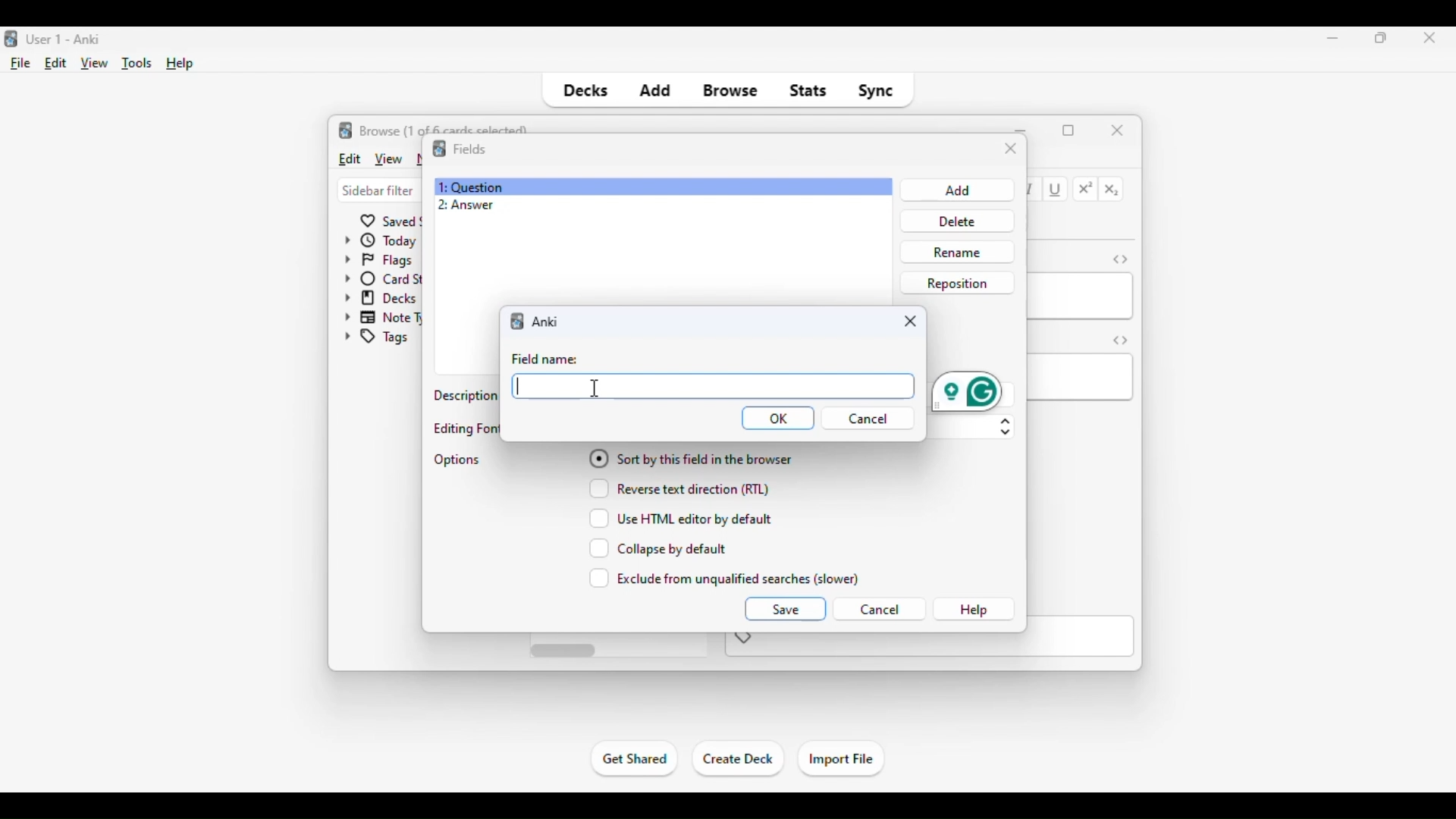  Describe the element at coordinates (911, 321) in the screenshot. I see `close` at that location.